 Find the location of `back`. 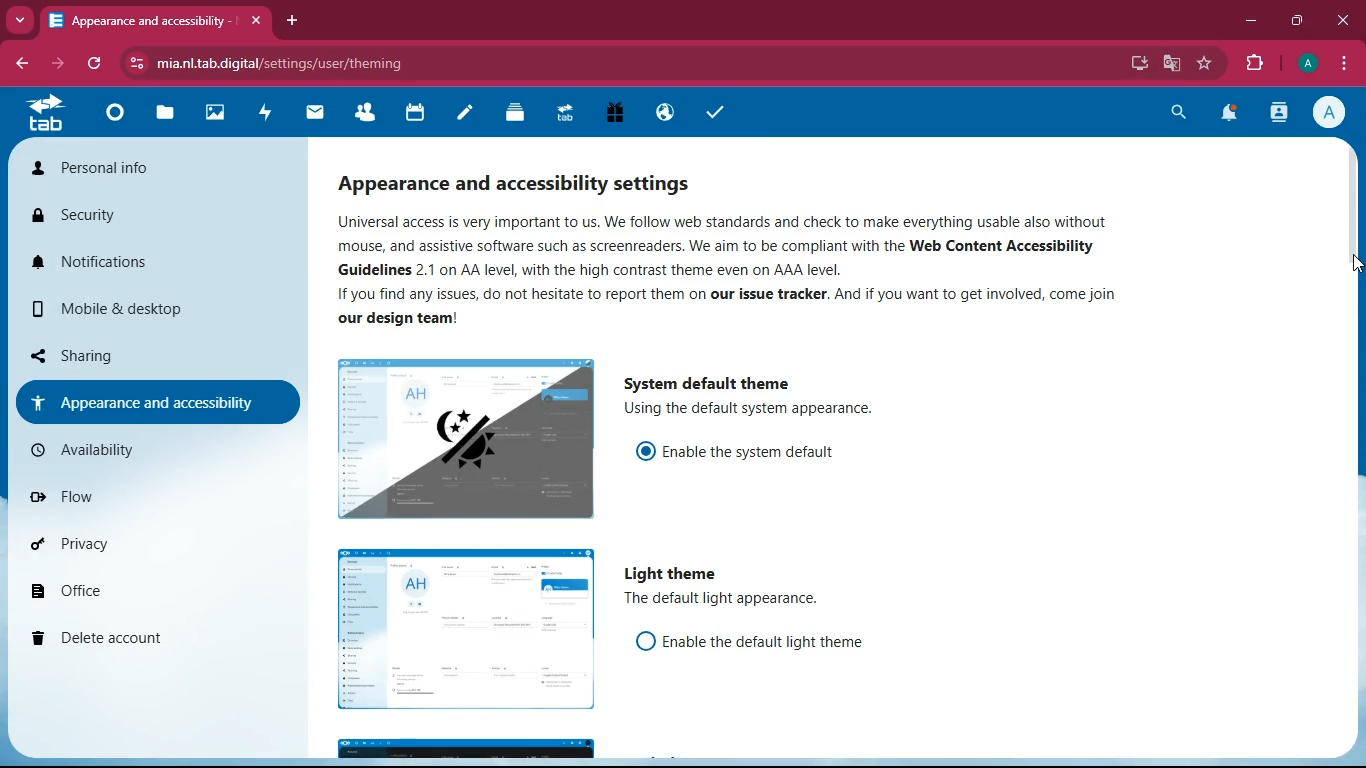

back is located at coordinates (24, 64).